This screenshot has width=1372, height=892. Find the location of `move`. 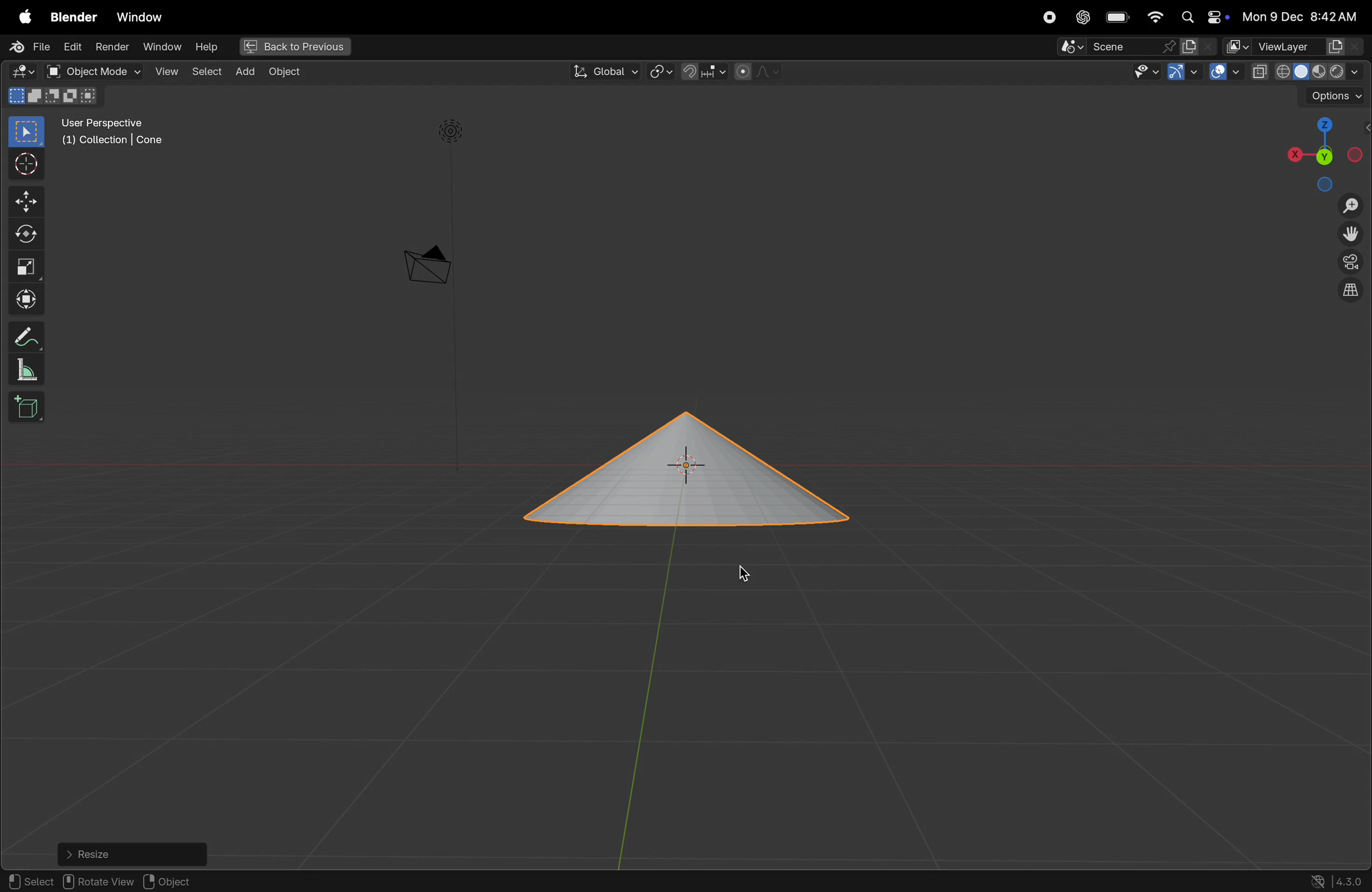

move is located at coordinates (24, 201).